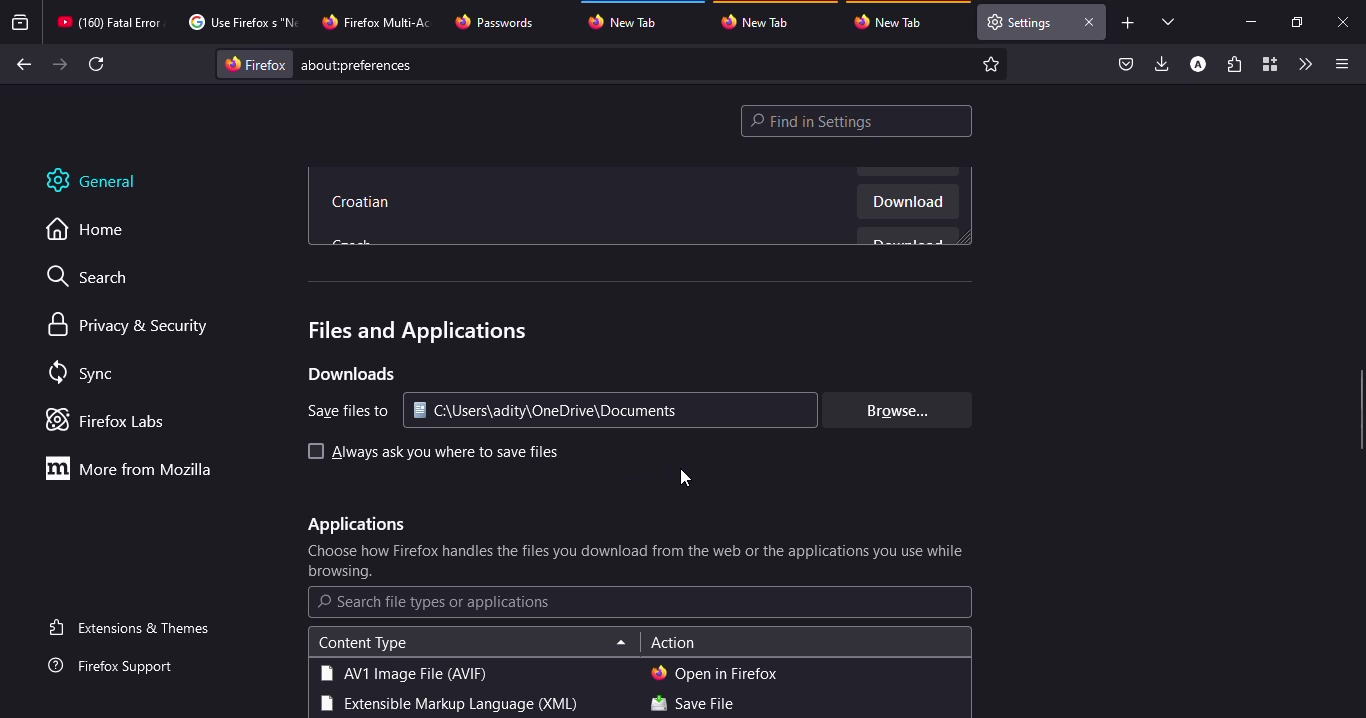  What do you see at coordinates (109, 22) in the screenshot?
I see `tab` at bounding box center [109, 22].